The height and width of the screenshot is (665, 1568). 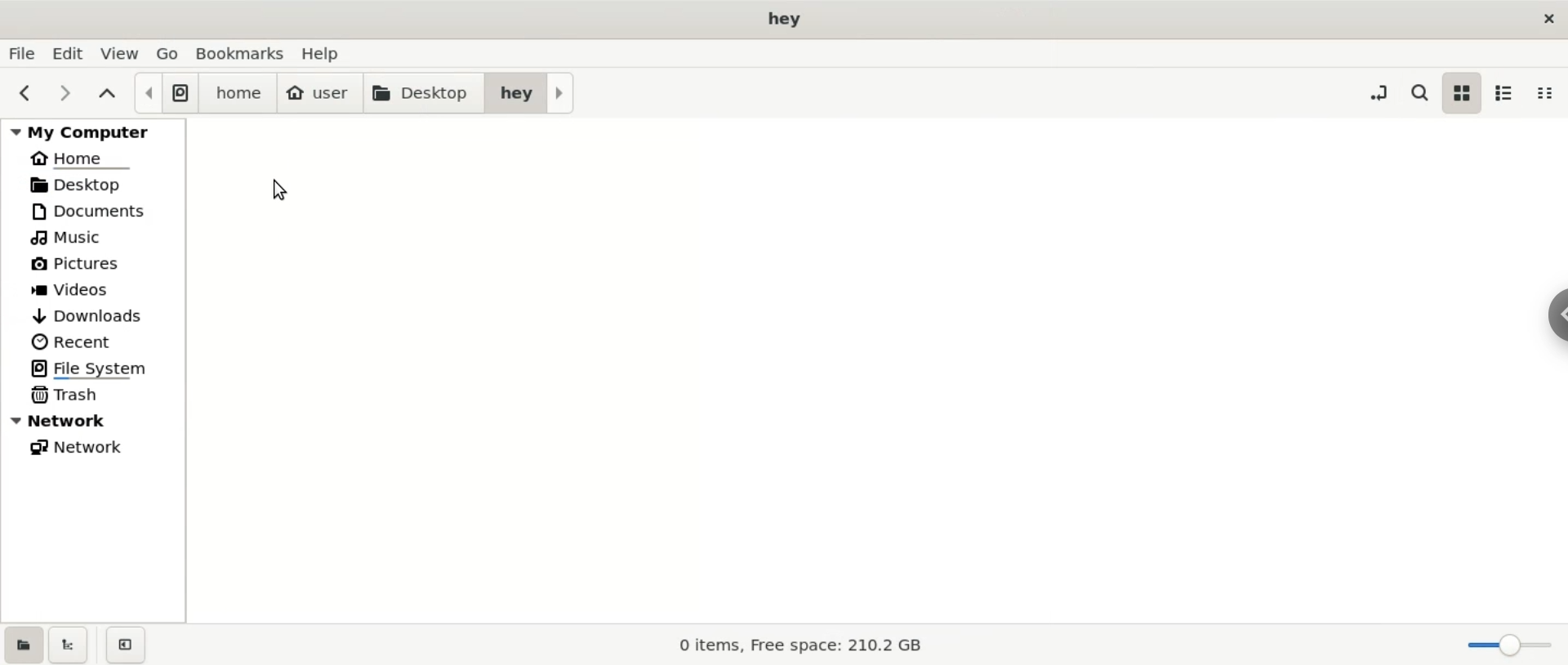 What do you see at coordinates (319, 94) in the screenshot?
I see `user` at bounding box center [319, 94].